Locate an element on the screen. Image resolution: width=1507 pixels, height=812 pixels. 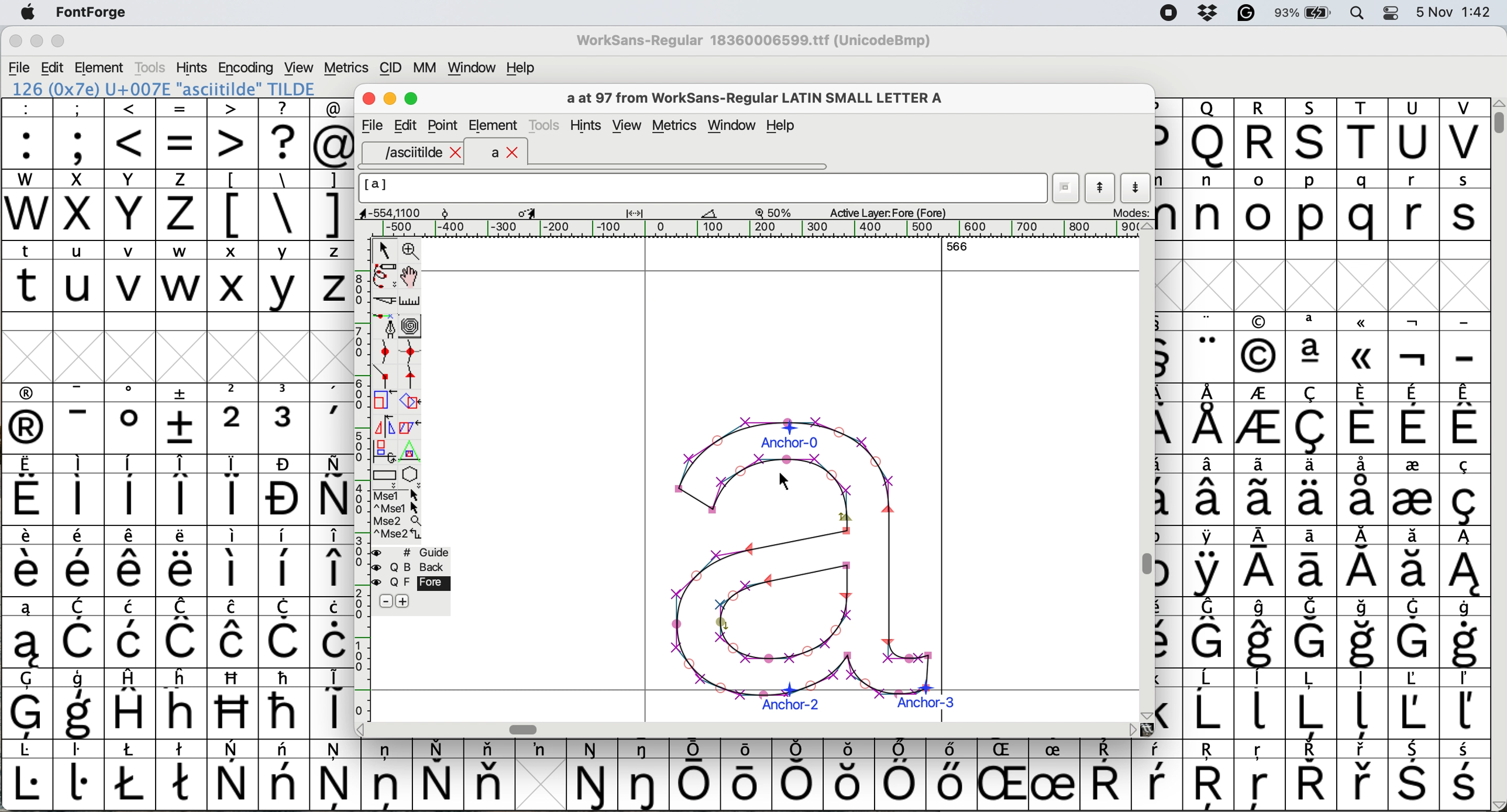
symbol is located at coordinates (1414, 632).